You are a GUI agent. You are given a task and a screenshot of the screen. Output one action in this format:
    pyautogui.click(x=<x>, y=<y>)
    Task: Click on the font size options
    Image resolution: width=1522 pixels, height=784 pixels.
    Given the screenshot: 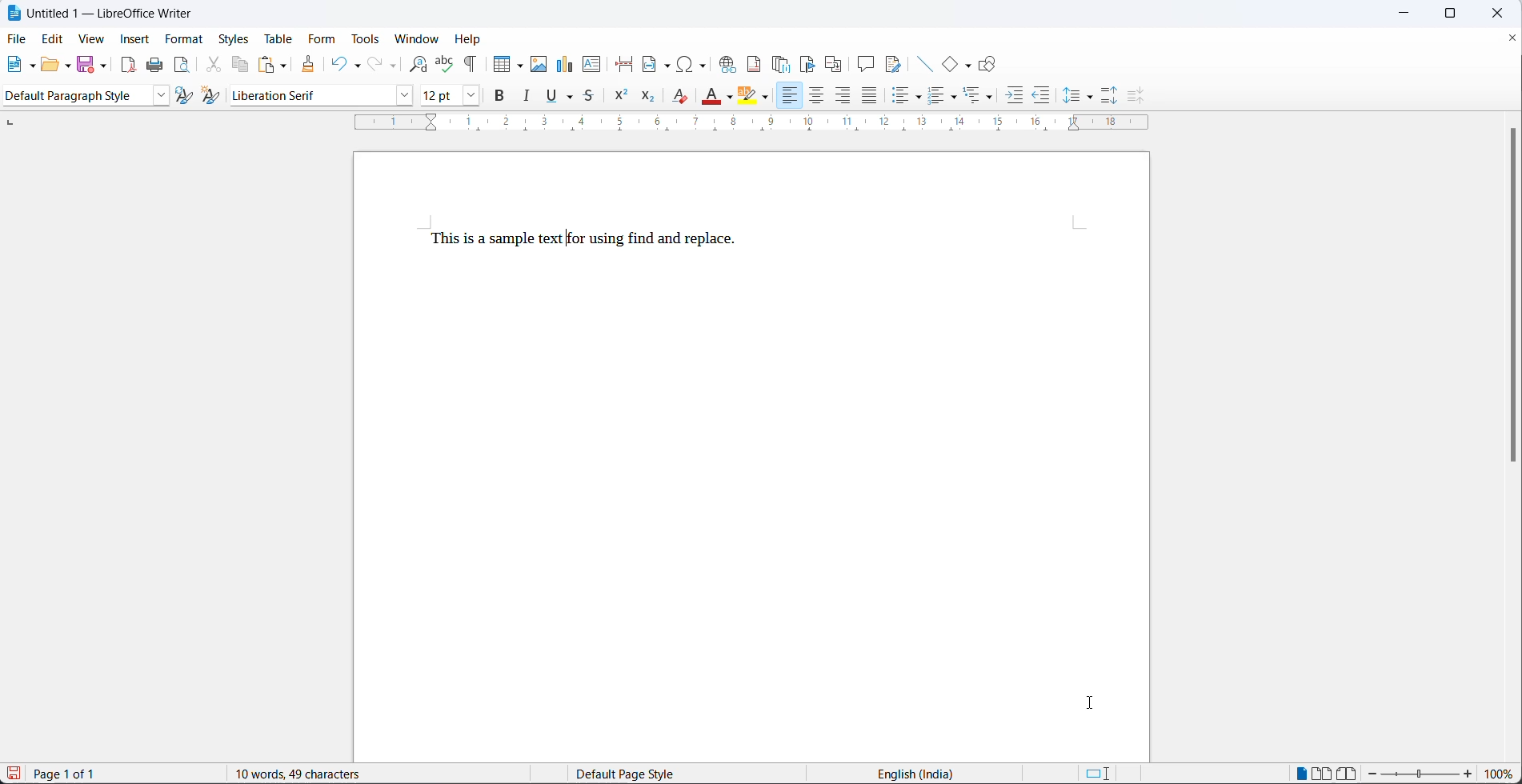 What is the action you would take?
    pyautogui.click(x=467, y=98)
    